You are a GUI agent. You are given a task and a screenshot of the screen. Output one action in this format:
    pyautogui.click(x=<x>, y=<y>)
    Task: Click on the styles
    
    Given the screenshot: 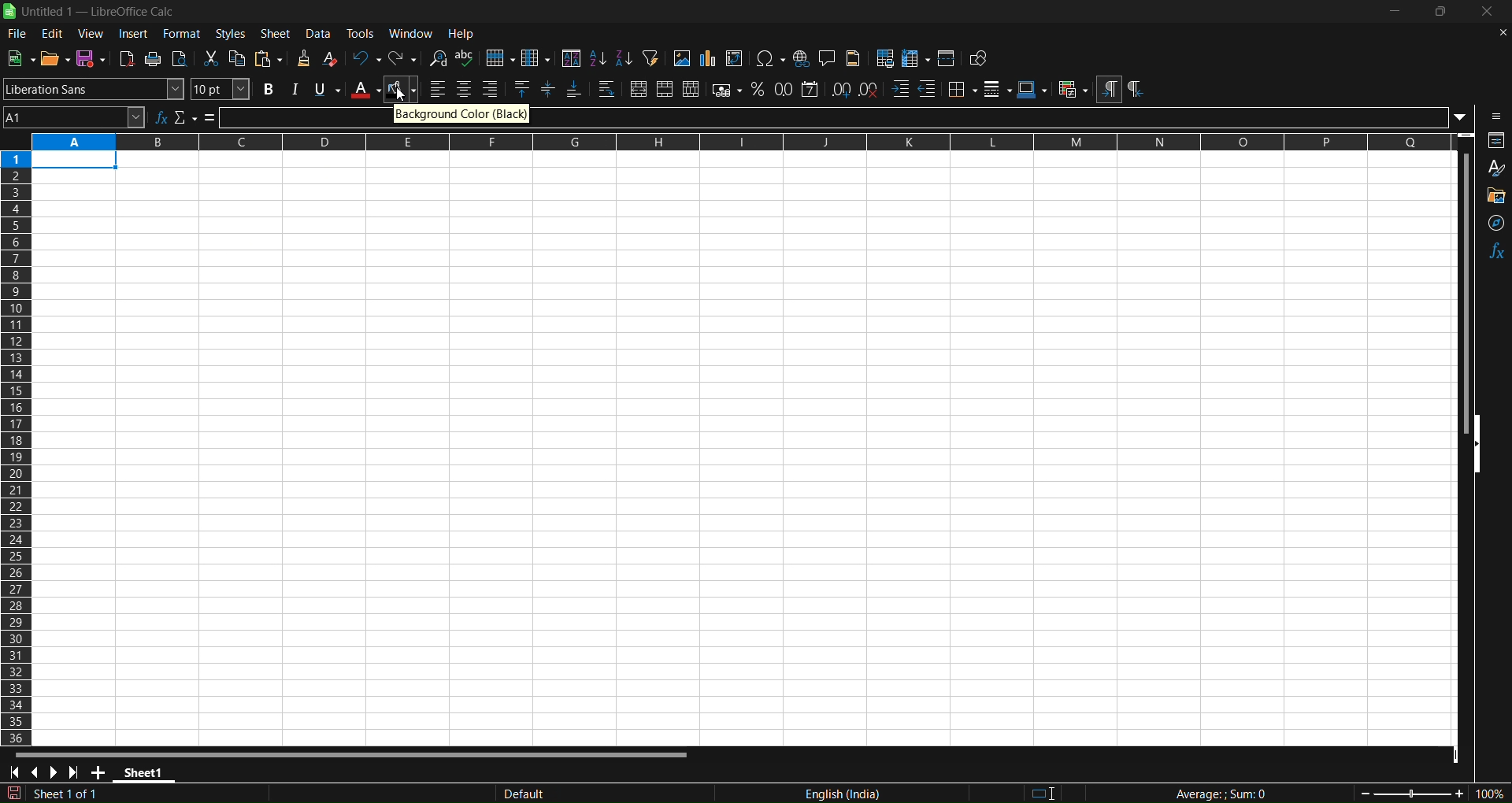 What is the action you would take?
    pyautogui.click(x=1494, y=165)
    